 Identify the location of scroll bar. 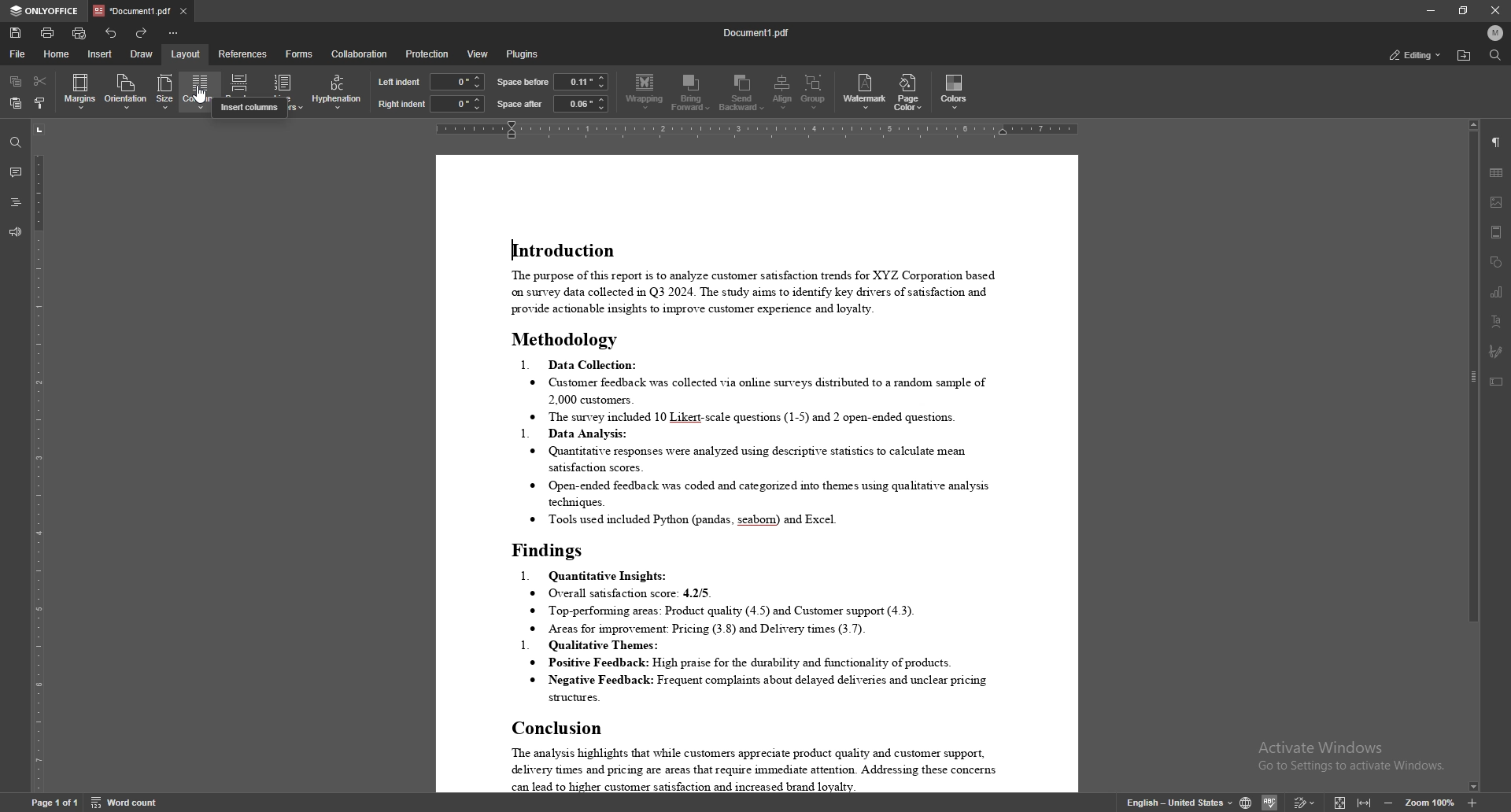
(1470, 456).